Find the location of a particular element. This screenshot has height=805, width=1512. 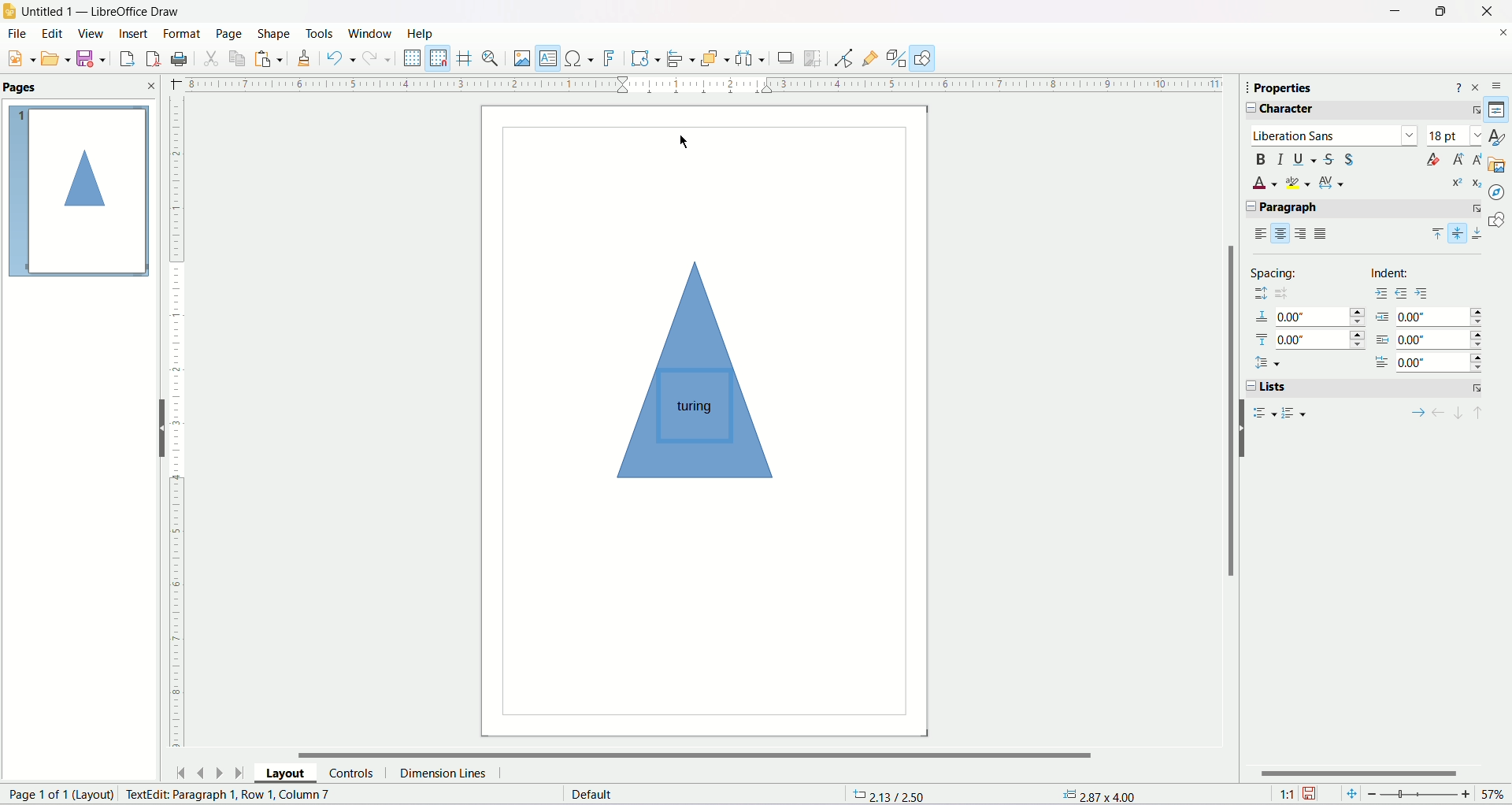

Open is located at coordinates (54, 57).